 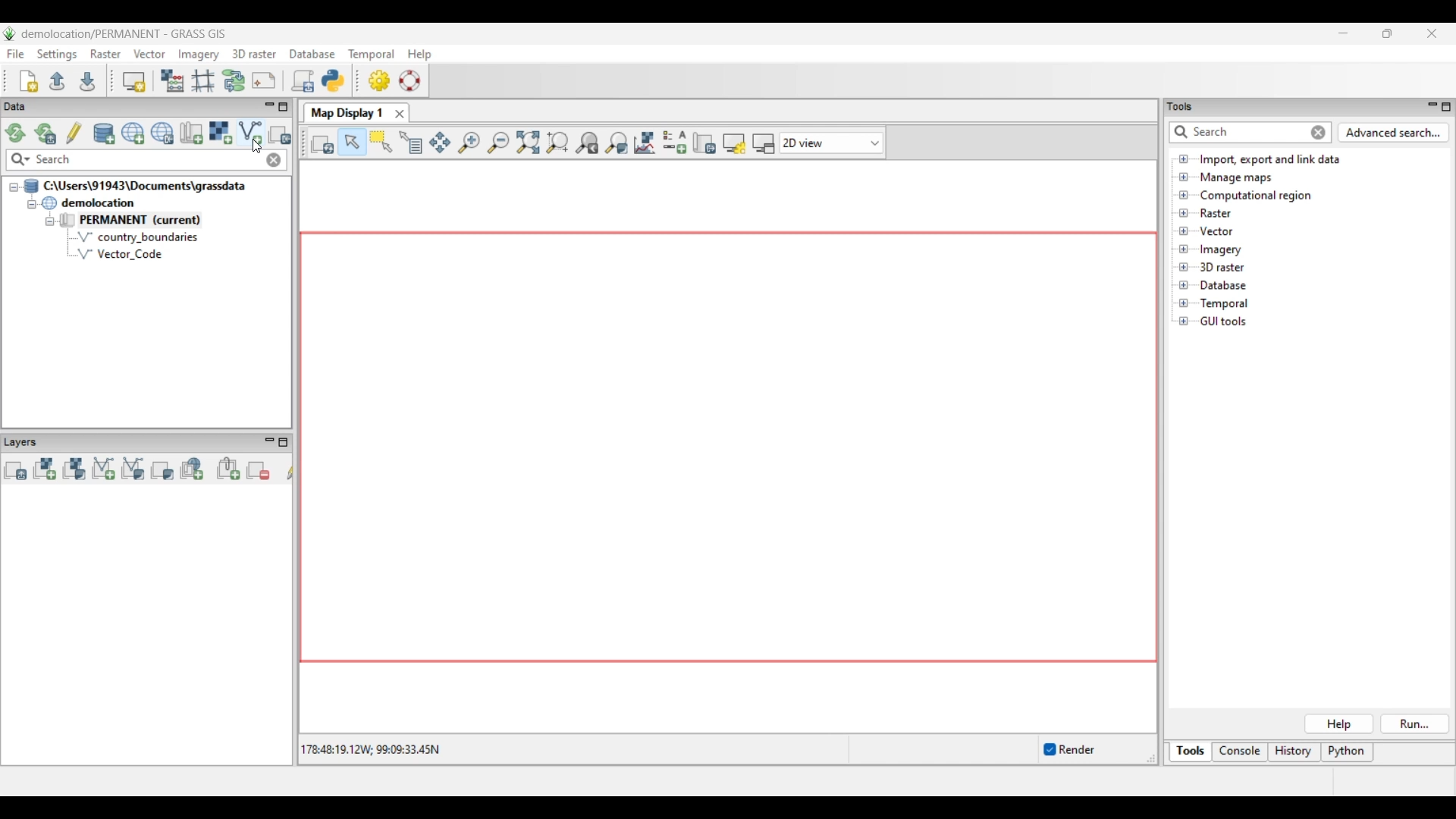 I want to click on Click to open files under Import, export and link data, so click(x=1184, y=158).